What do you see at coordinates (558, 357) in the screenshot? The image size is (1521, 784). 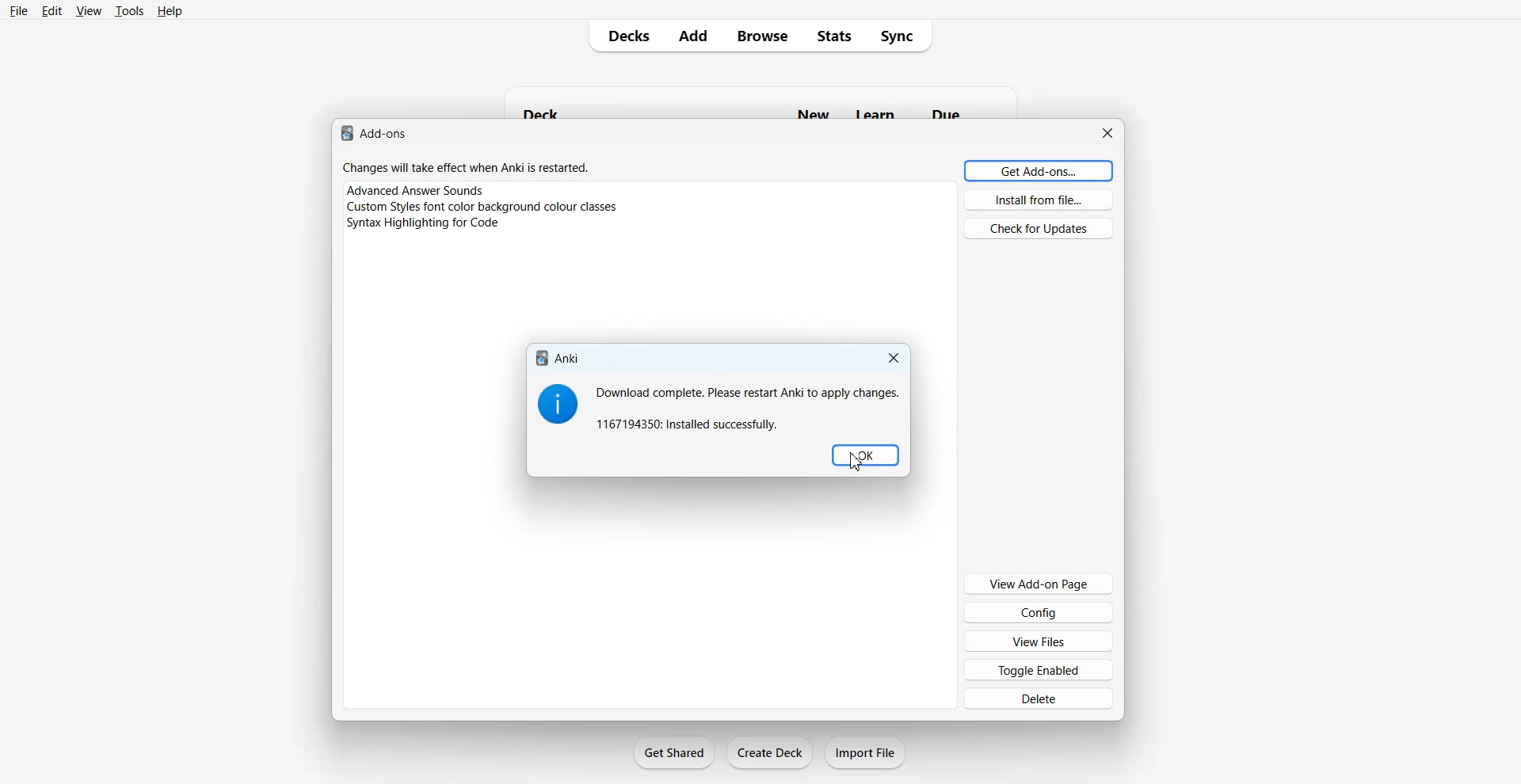 I see `Anki` at bounding box center [558, 357].